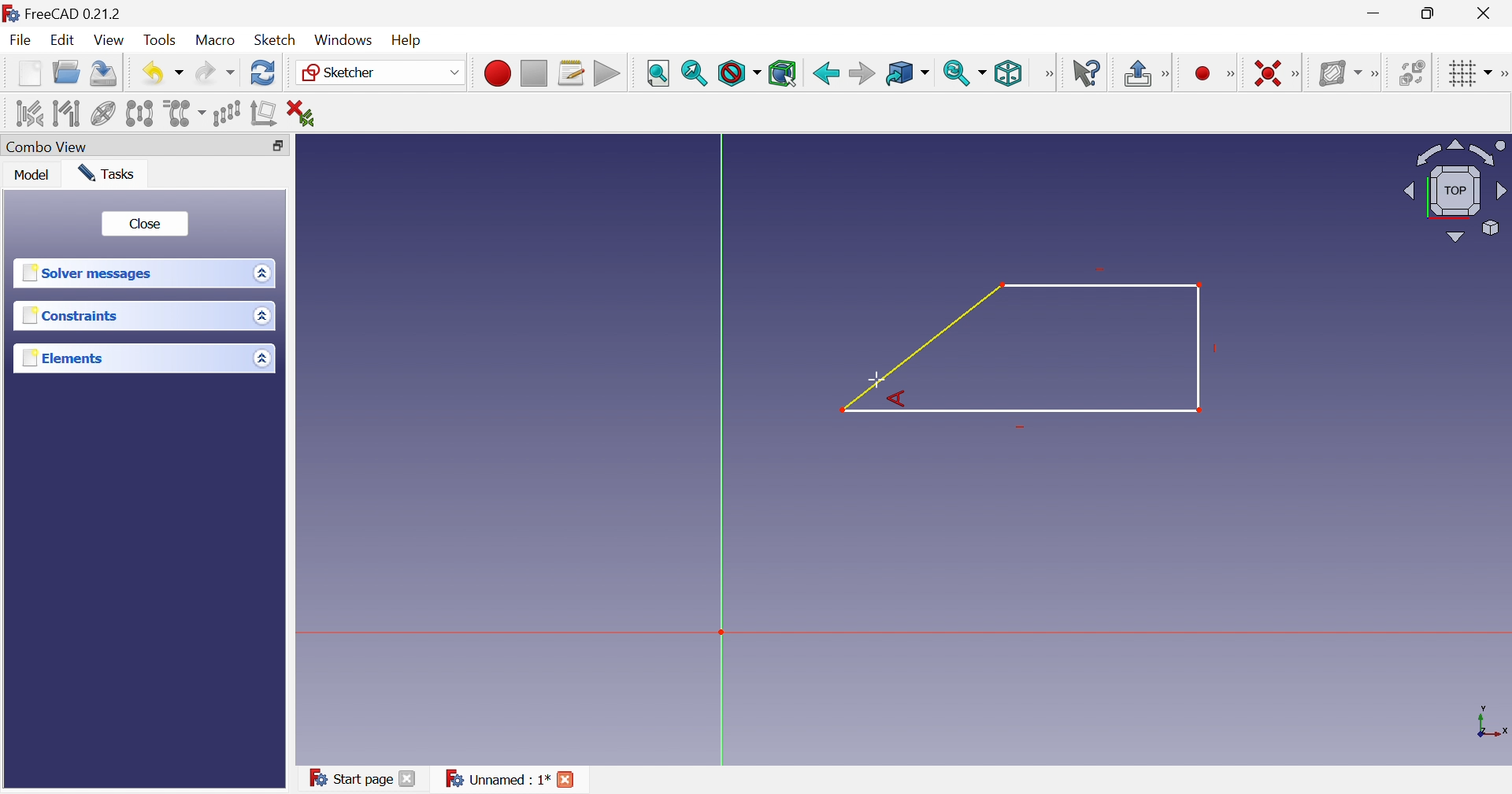 This screenshot has width=1512, height=794. I want to click on Sketcher, so click(343, 73).